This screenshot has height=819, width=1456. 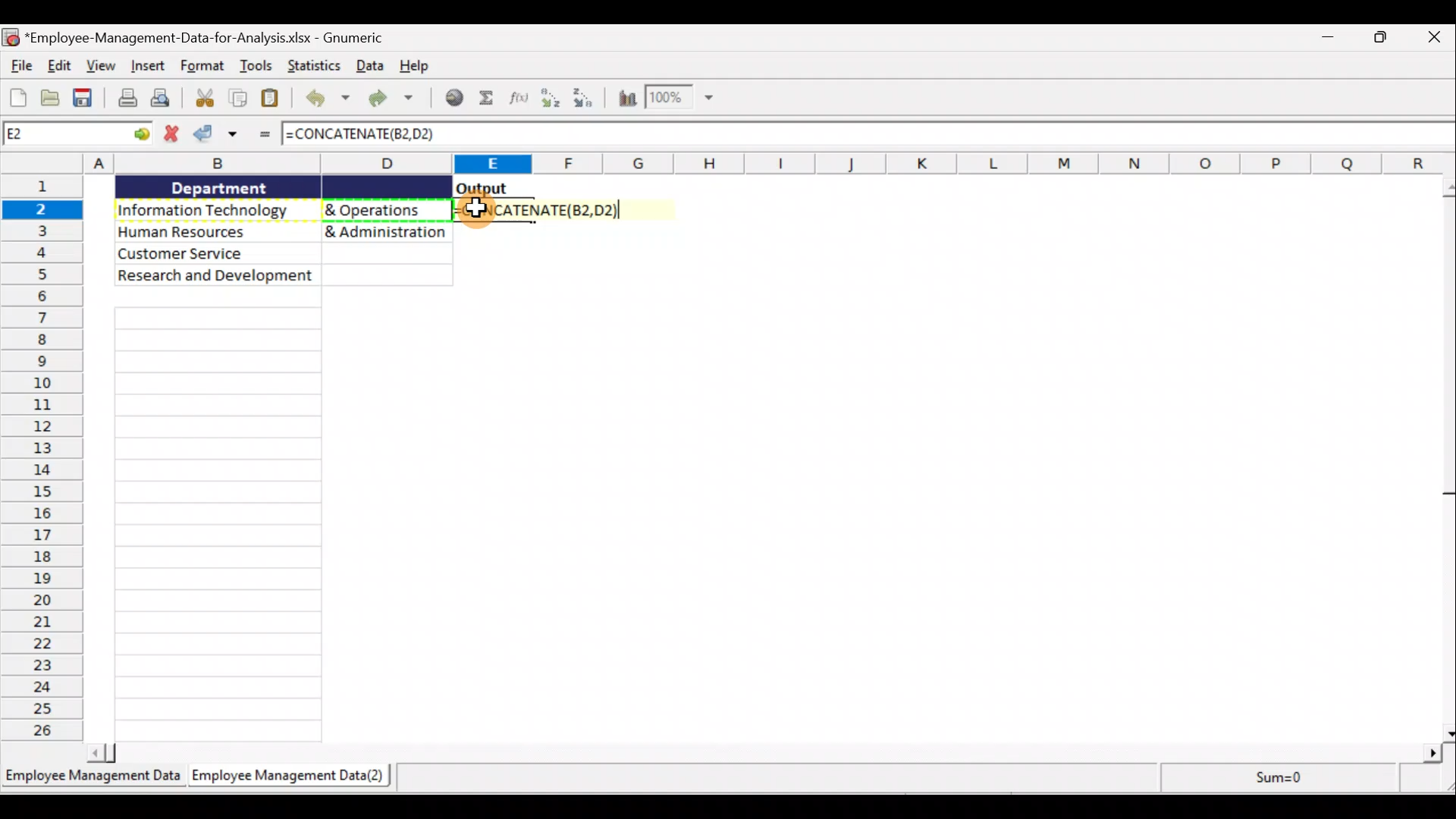 What do you see at coordinates (146, 64) in the screenshot?
I see `Insert` at bounding box center [146, 64].